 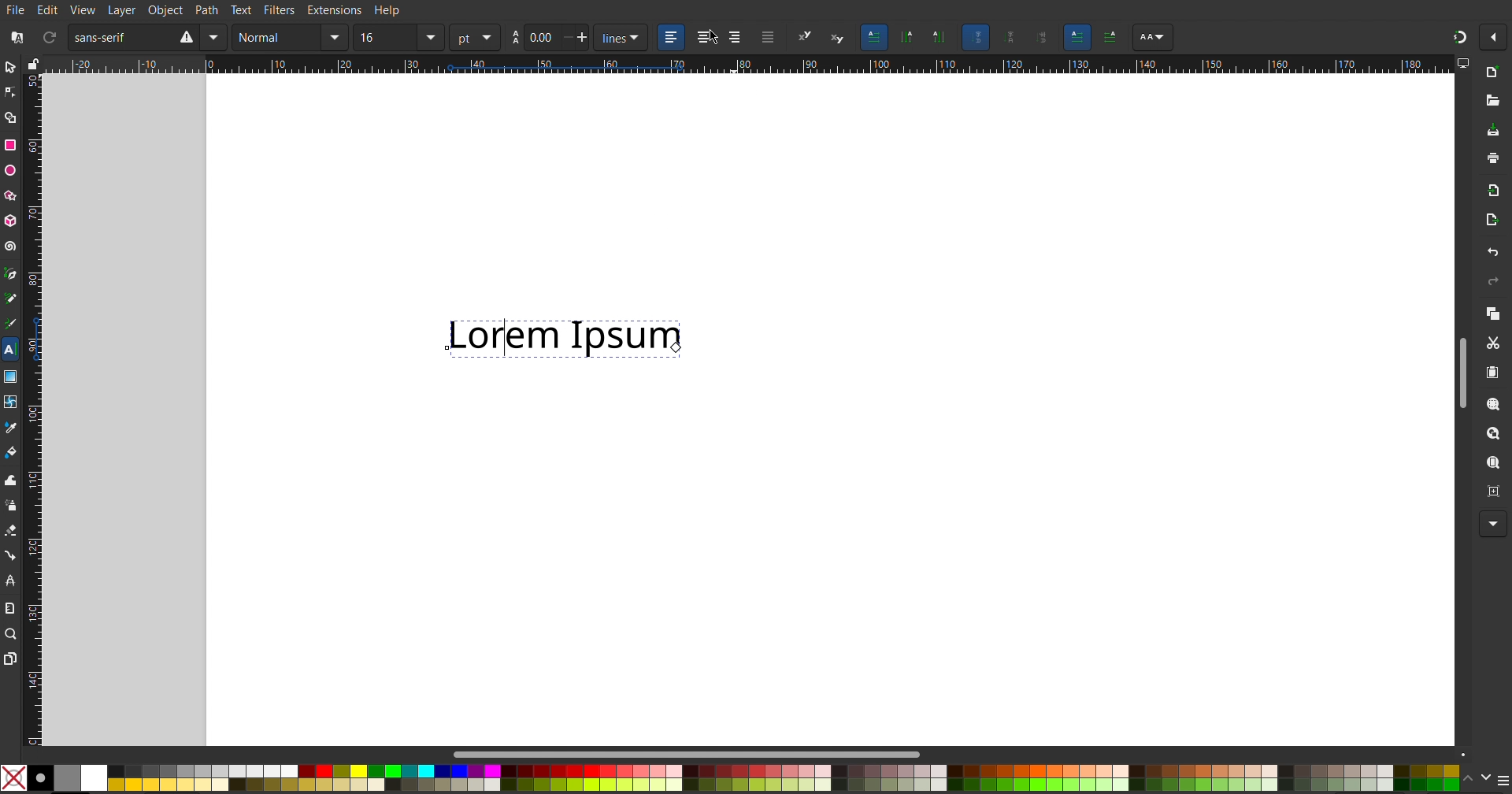 I want to click on Pen Tool, so click(x=13, y=275).